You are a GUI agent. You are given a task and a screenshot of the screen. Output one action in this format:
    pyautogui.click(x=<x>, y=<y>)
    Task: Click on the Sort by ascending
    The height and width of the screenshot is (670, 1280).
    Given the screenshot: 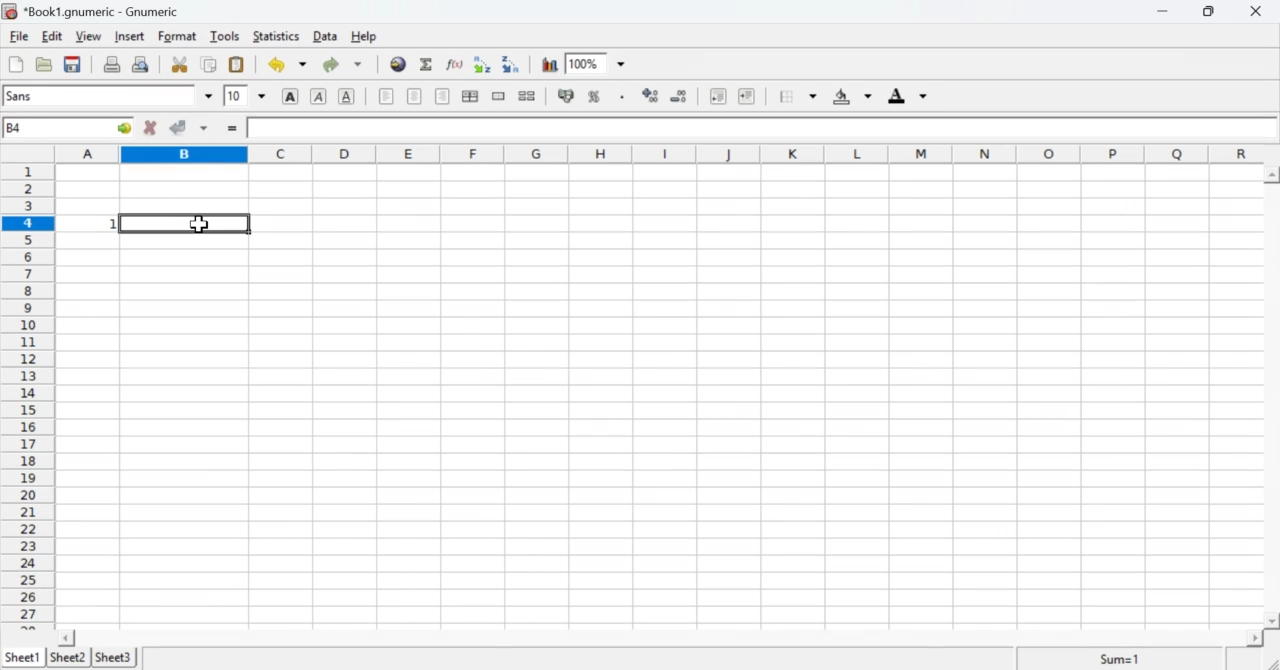 What is the action you would take?
    pyautogui.click(x=648, y=97)
    